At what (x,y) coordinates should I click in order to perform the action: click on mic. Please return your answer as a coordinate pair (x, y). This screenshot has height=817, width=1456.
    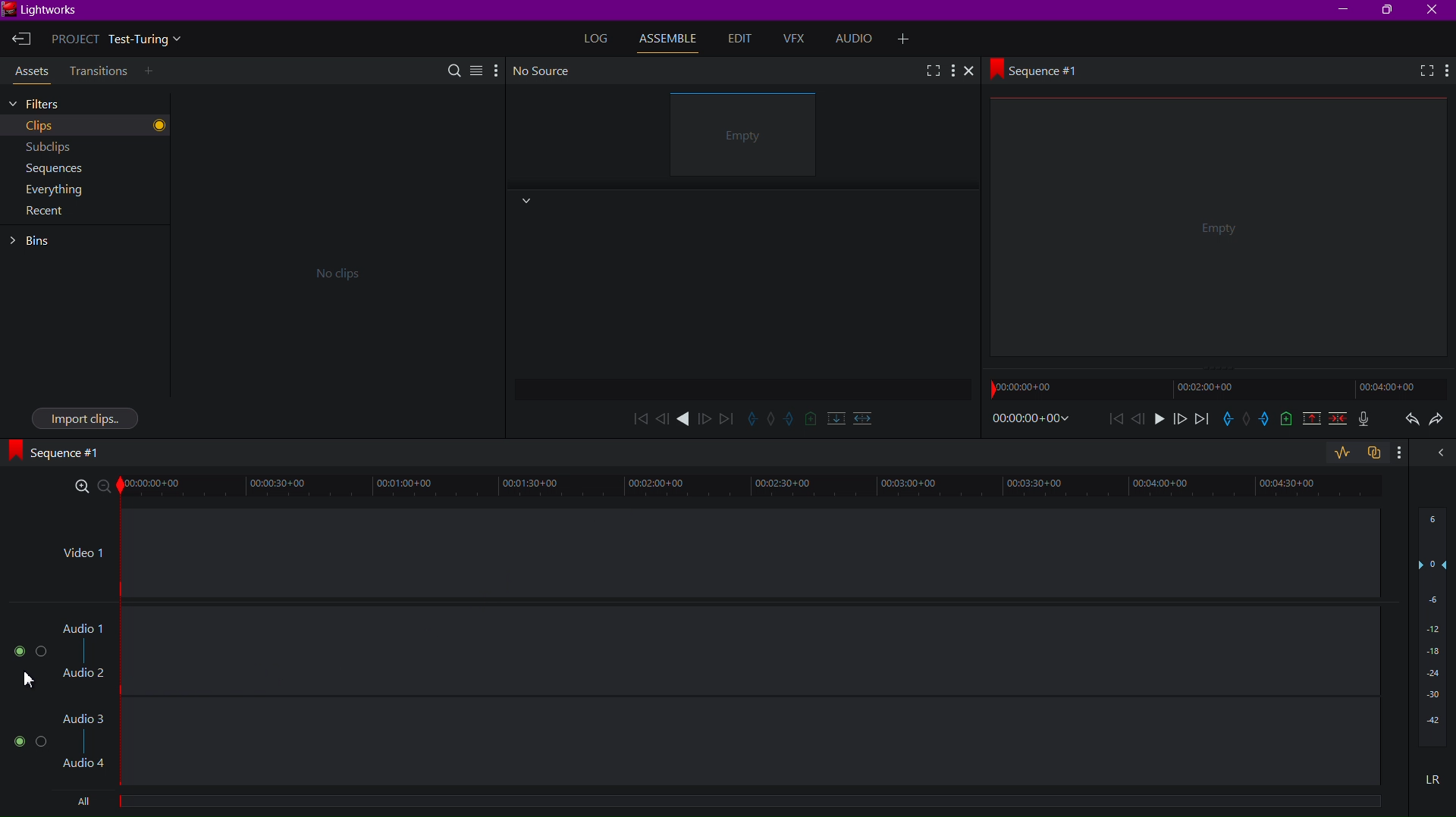
    Looking at the image, I should click on (1368, 421).